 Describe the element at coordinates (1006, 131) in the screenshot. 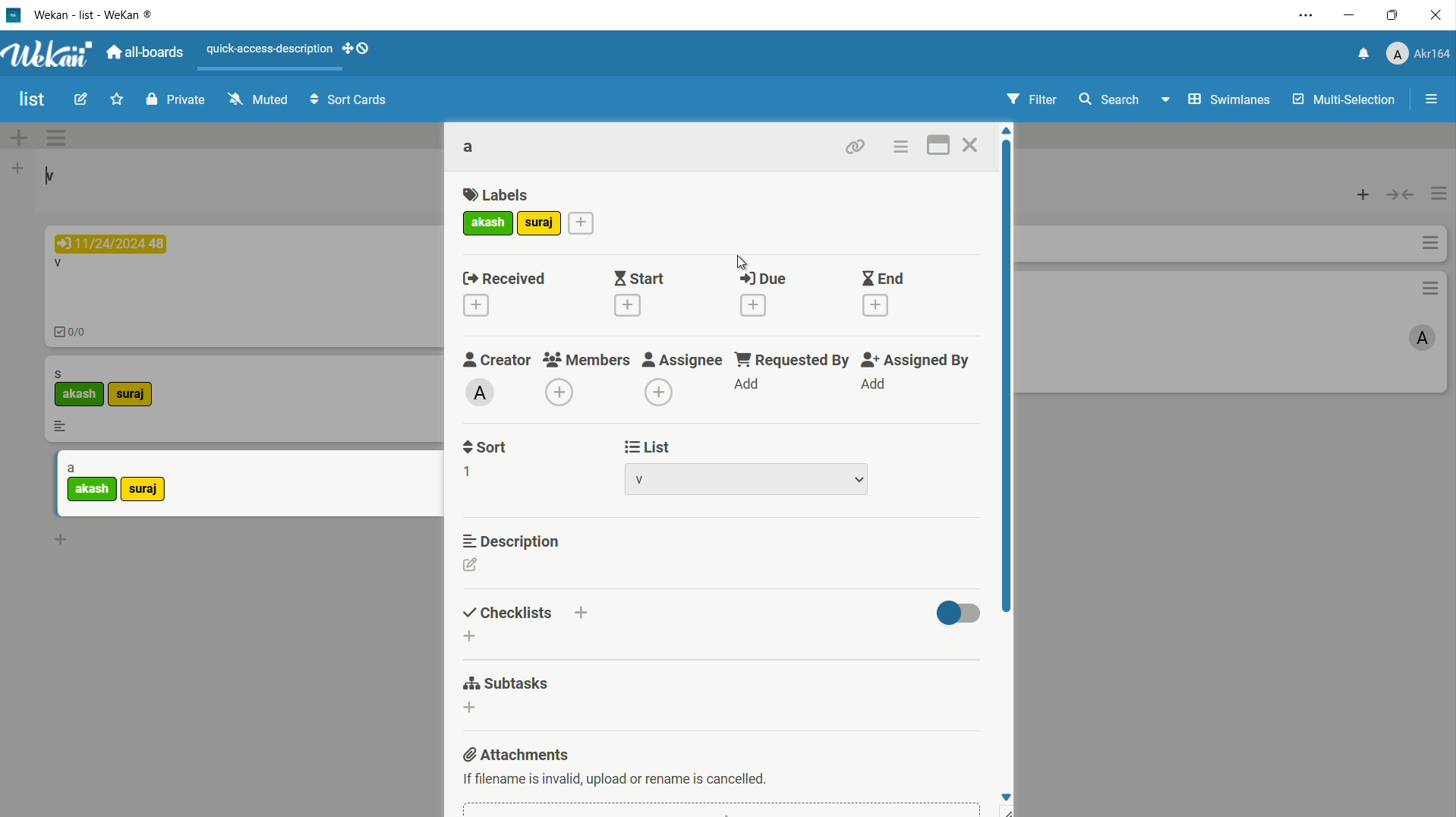

I see `move up` at that location.